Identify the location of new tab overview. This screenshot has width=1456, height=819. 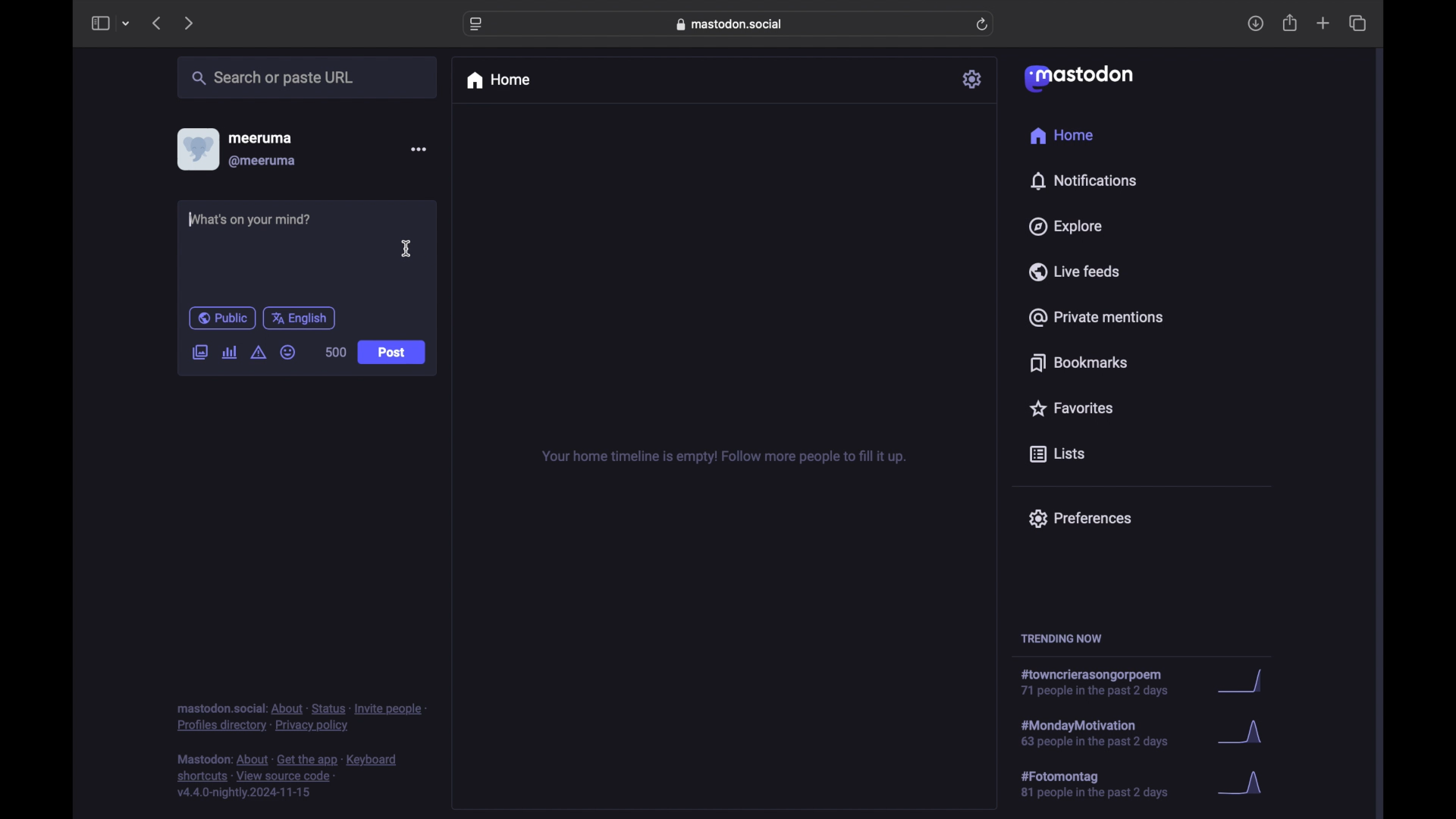
(1323, 23).